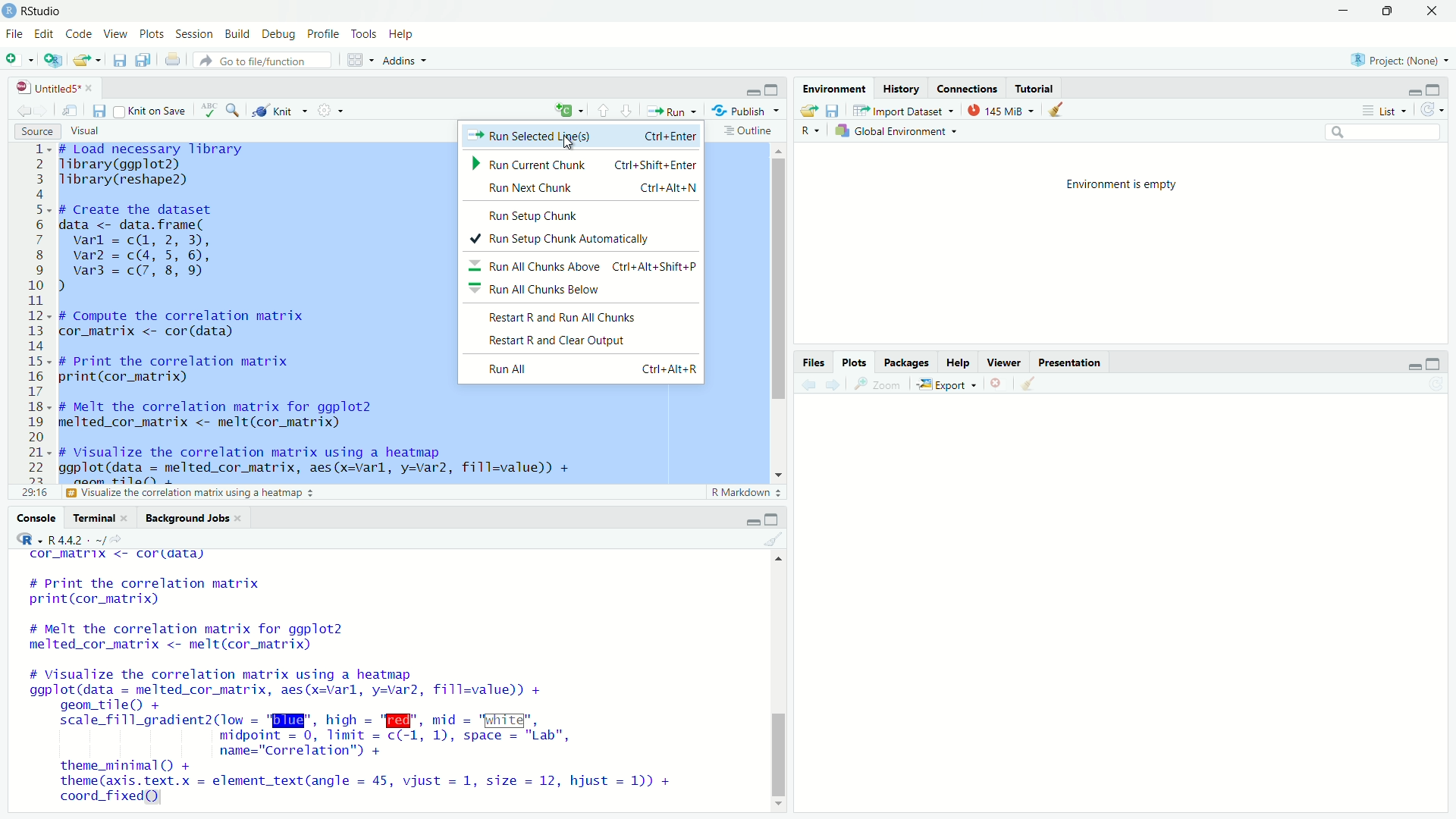 The height and width of the screenshot is (819, 1456). Describe the element at coordinates (1386, 11) in the screenshot. I see `maximize` at that location.